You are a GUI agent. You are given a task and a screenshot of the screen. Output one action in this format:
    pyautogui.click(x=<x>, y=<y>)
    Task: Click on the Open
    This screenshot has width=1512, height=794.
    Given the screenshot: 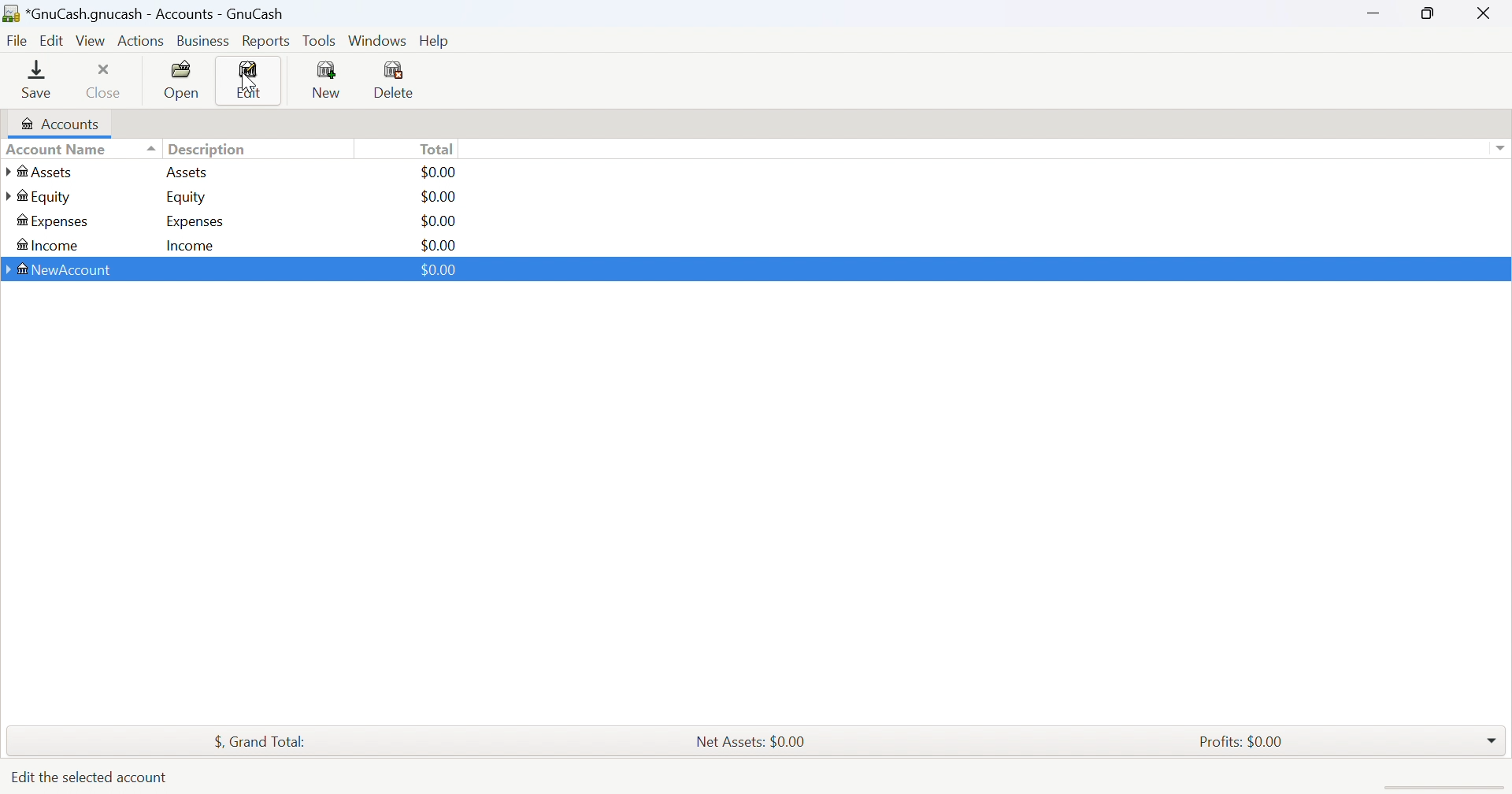 What is the action you would take?
    pyautogui.click(x=183, y=80)
    